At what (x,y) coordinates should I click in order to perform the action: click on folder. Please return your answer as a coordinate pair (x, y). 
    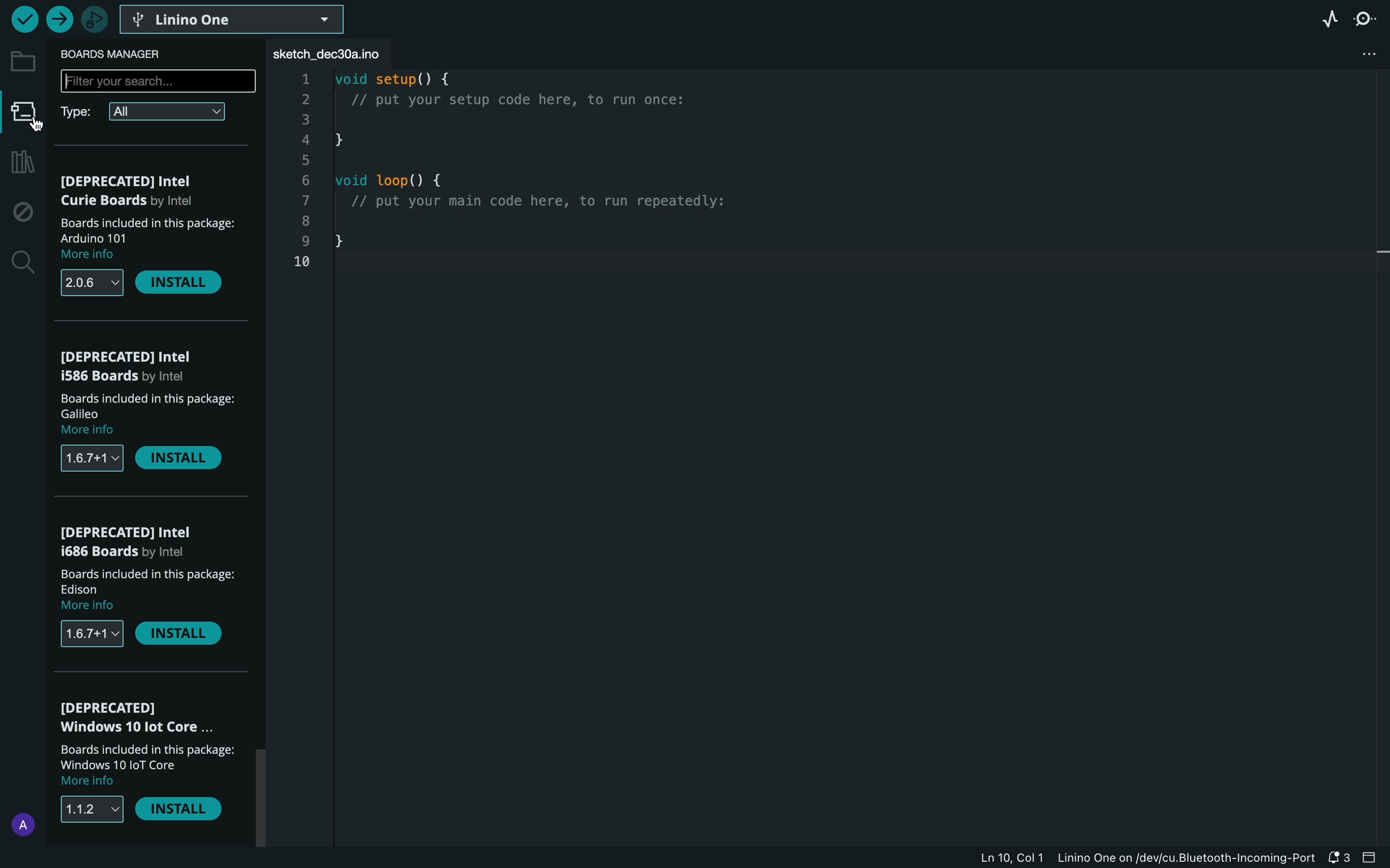
    Looking at the image, I should click on (22, 59).